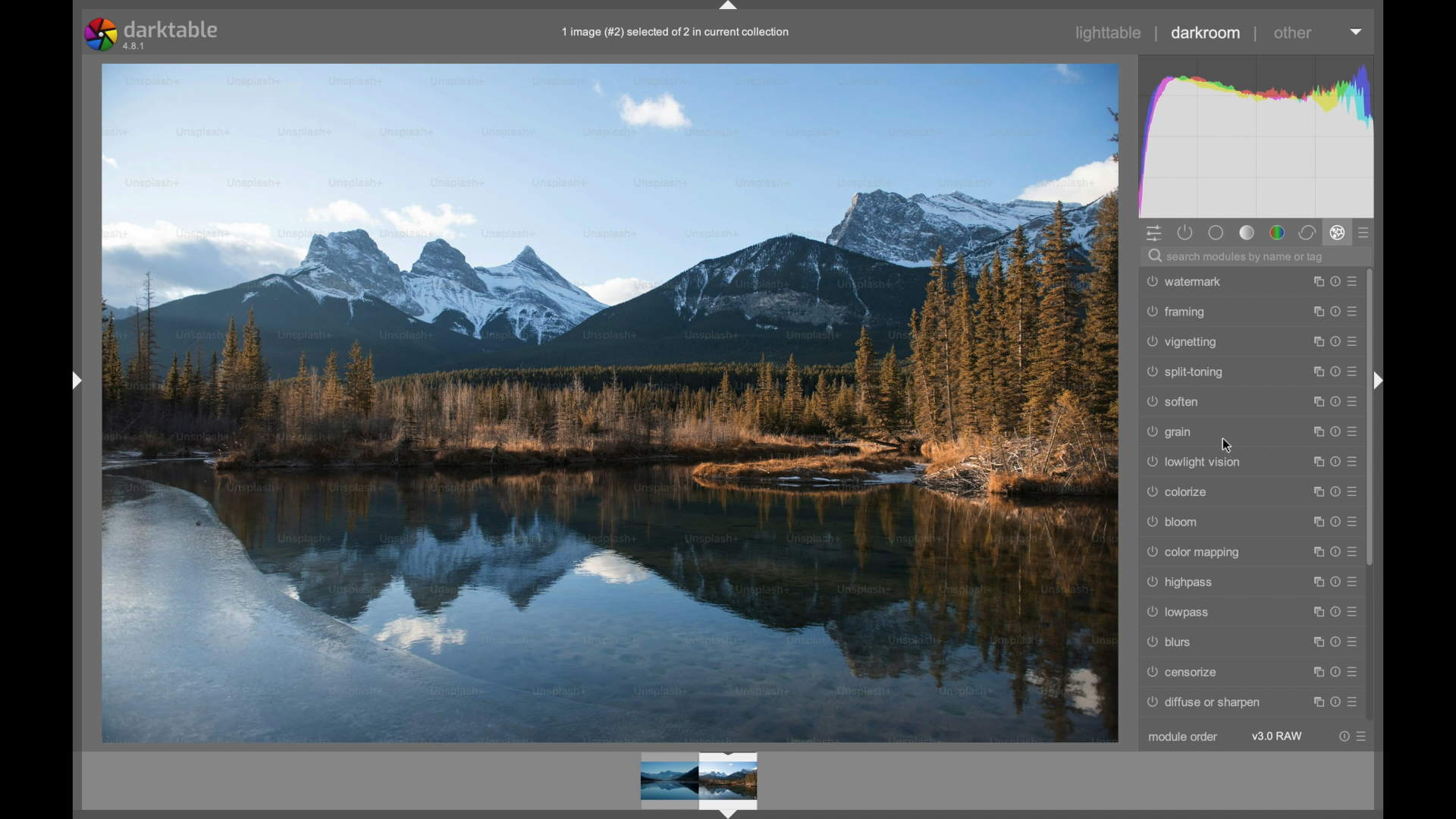  I want to click on grain, so click(1171, 432).